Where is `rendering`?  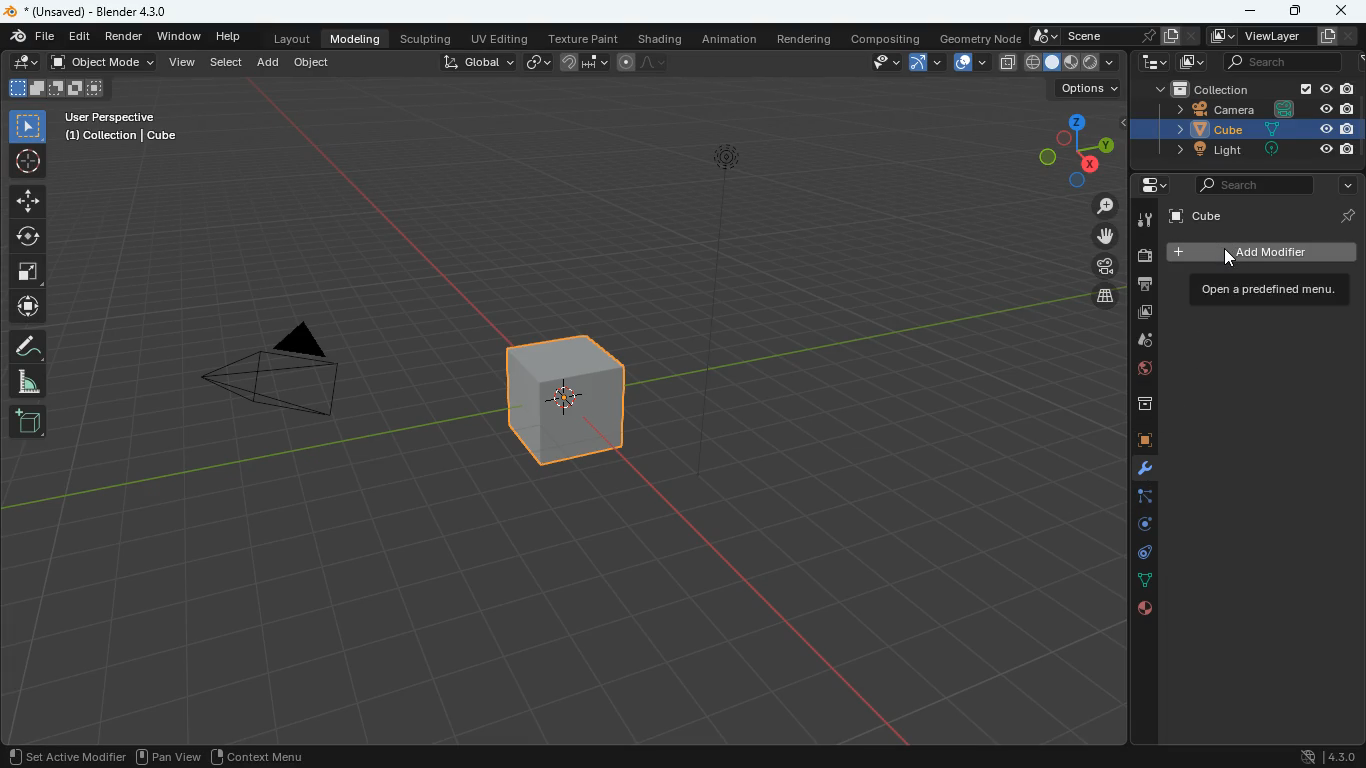
rendering is located at coordinates (804, 41).